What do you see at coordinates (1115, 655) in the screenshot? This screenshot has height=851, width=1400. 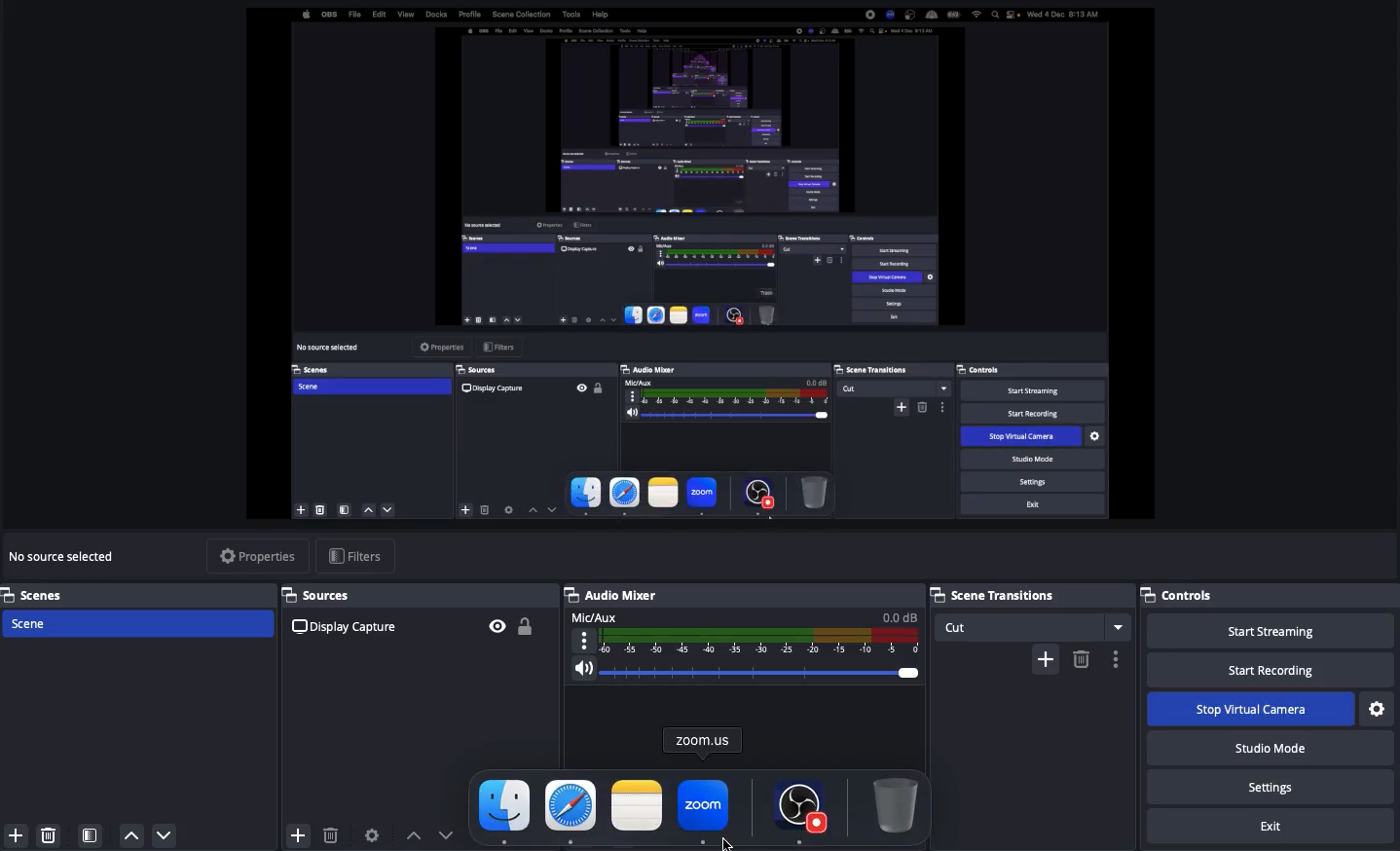 I see `Options` at bounding box center [1115, 655].